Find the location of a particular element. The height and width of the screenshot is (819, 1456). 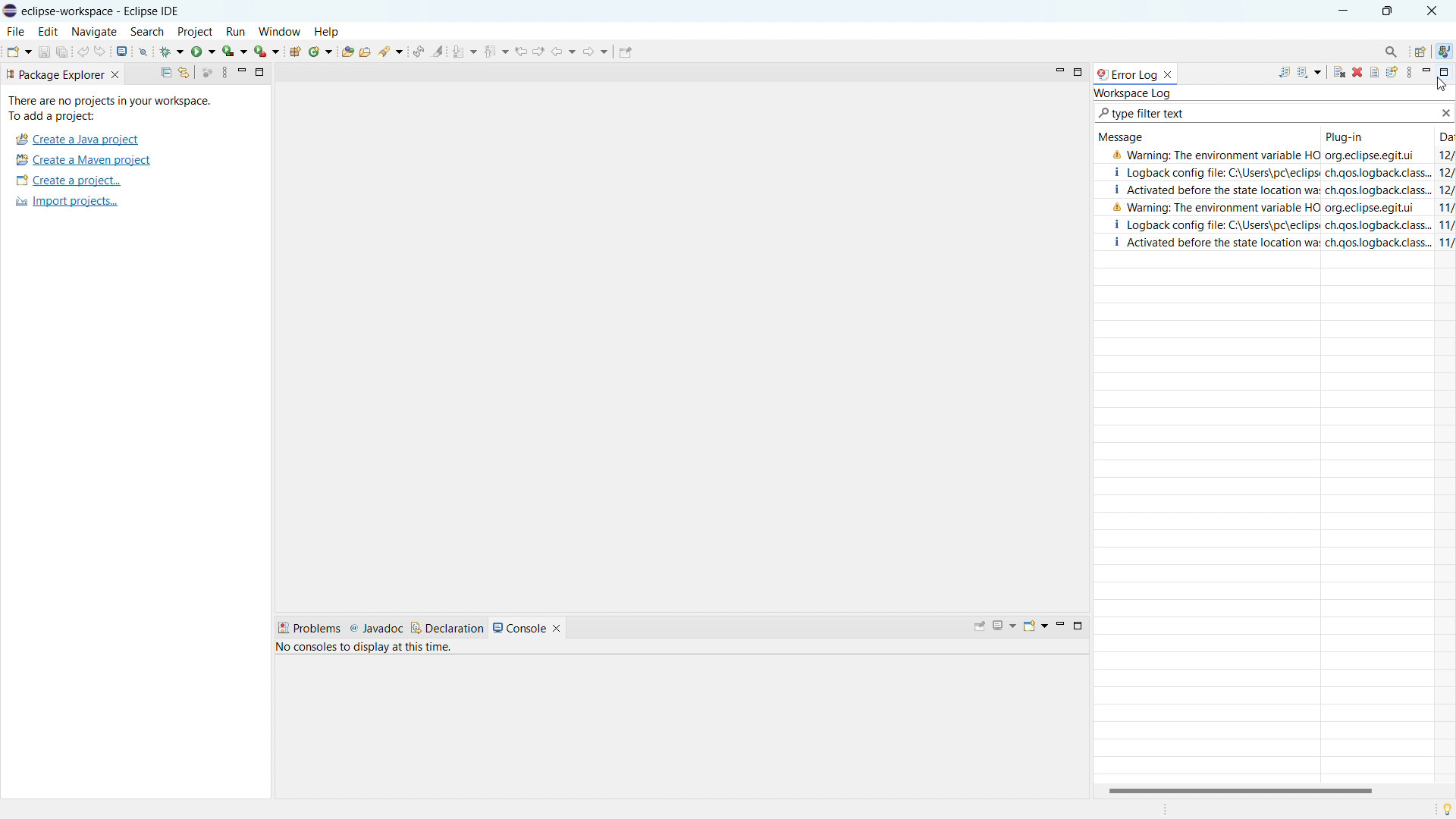

java  is located at coordinates (1449, 46).